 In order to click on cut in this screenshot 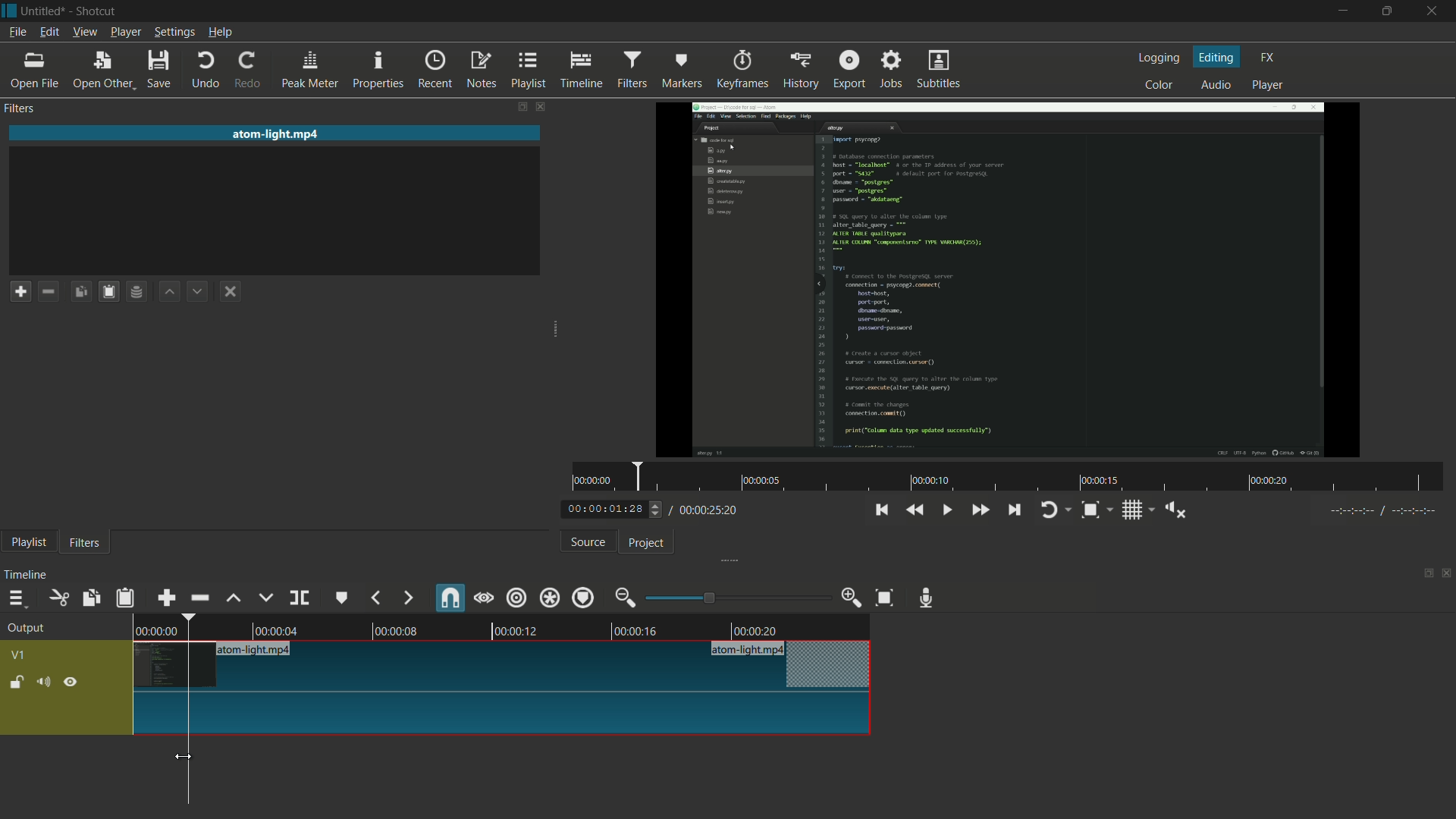, I will do `click(60, 598)`.